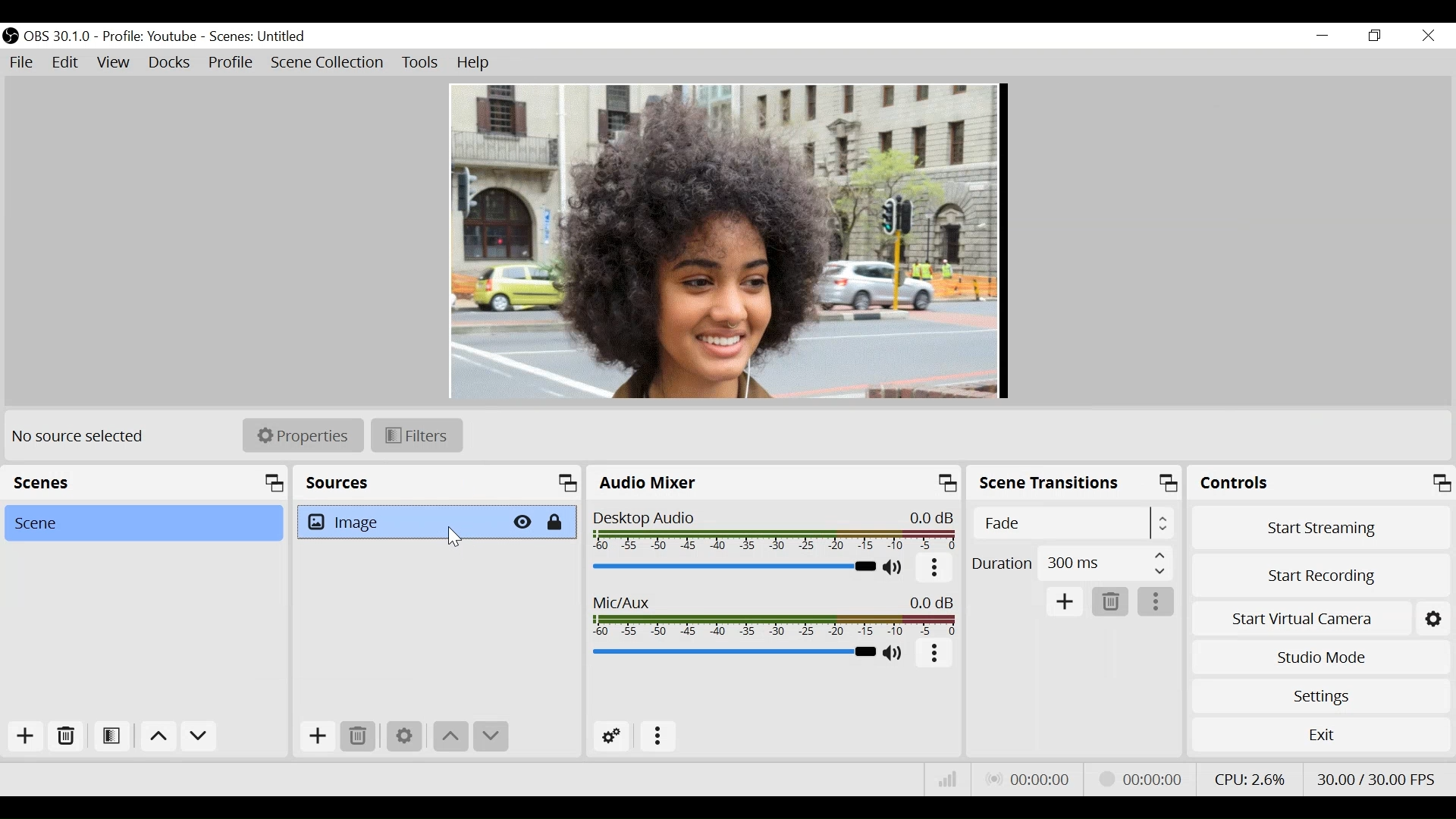  I want to click on Image, so click(403, 522).